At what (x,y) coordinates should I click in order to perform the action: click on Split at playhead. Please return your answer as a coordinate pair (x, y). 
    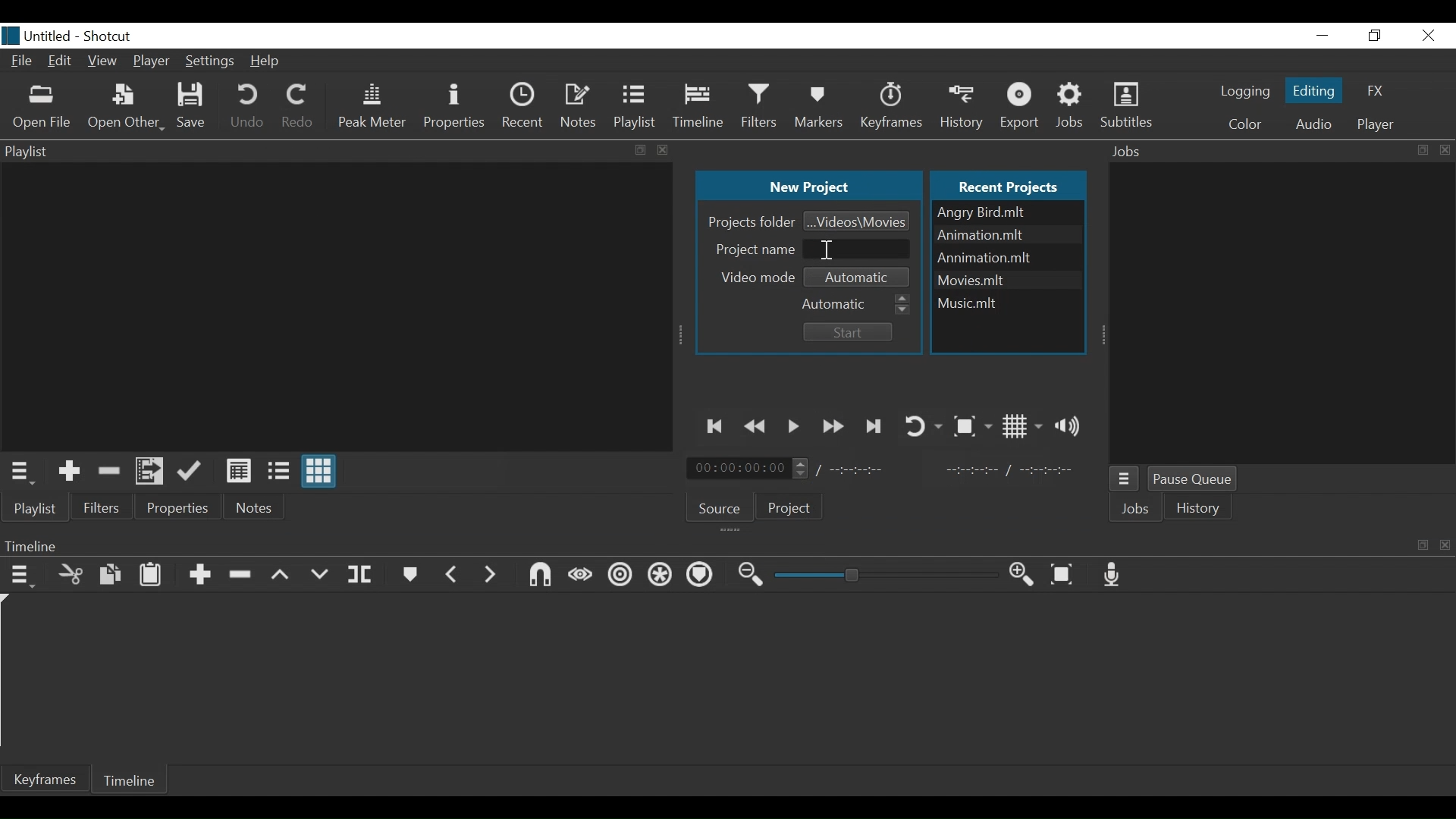
    Looking at the image, I should click on (360, 575).